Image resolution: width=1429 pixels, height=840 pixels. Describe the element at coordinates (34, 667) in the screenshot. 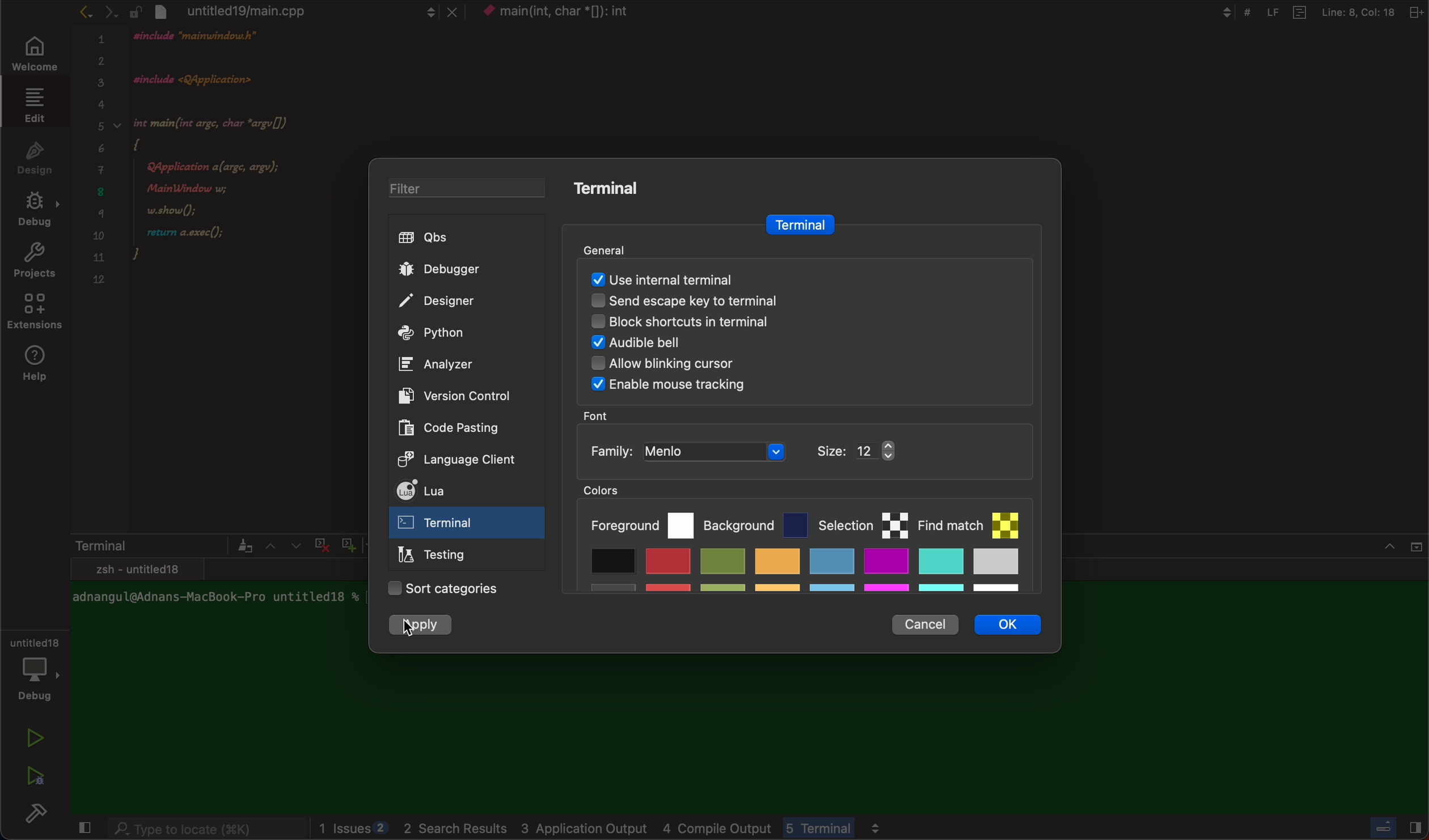

I see `debugger` at that location.